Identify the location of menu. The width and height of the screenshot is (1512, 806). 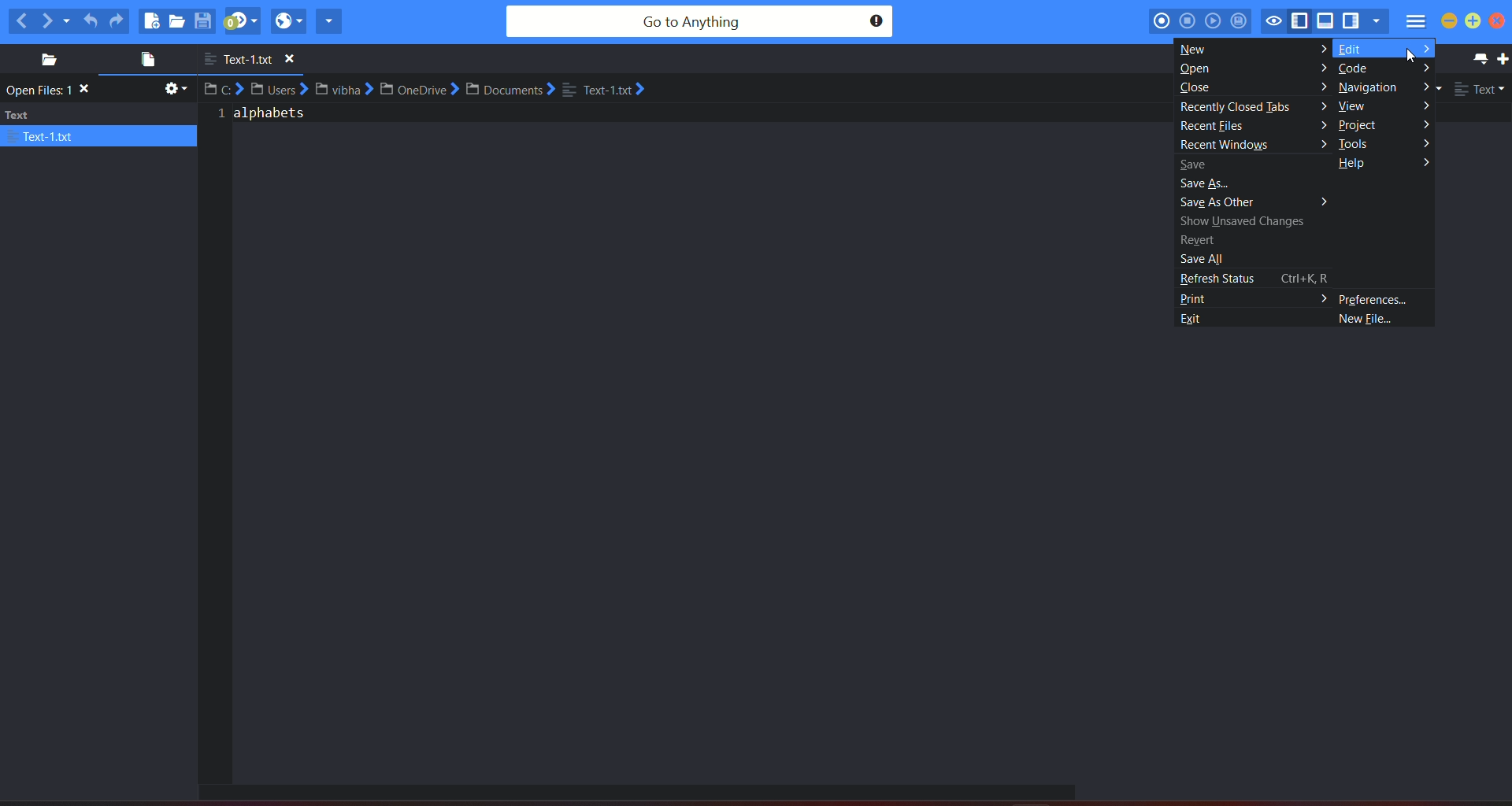
(1414, 24).